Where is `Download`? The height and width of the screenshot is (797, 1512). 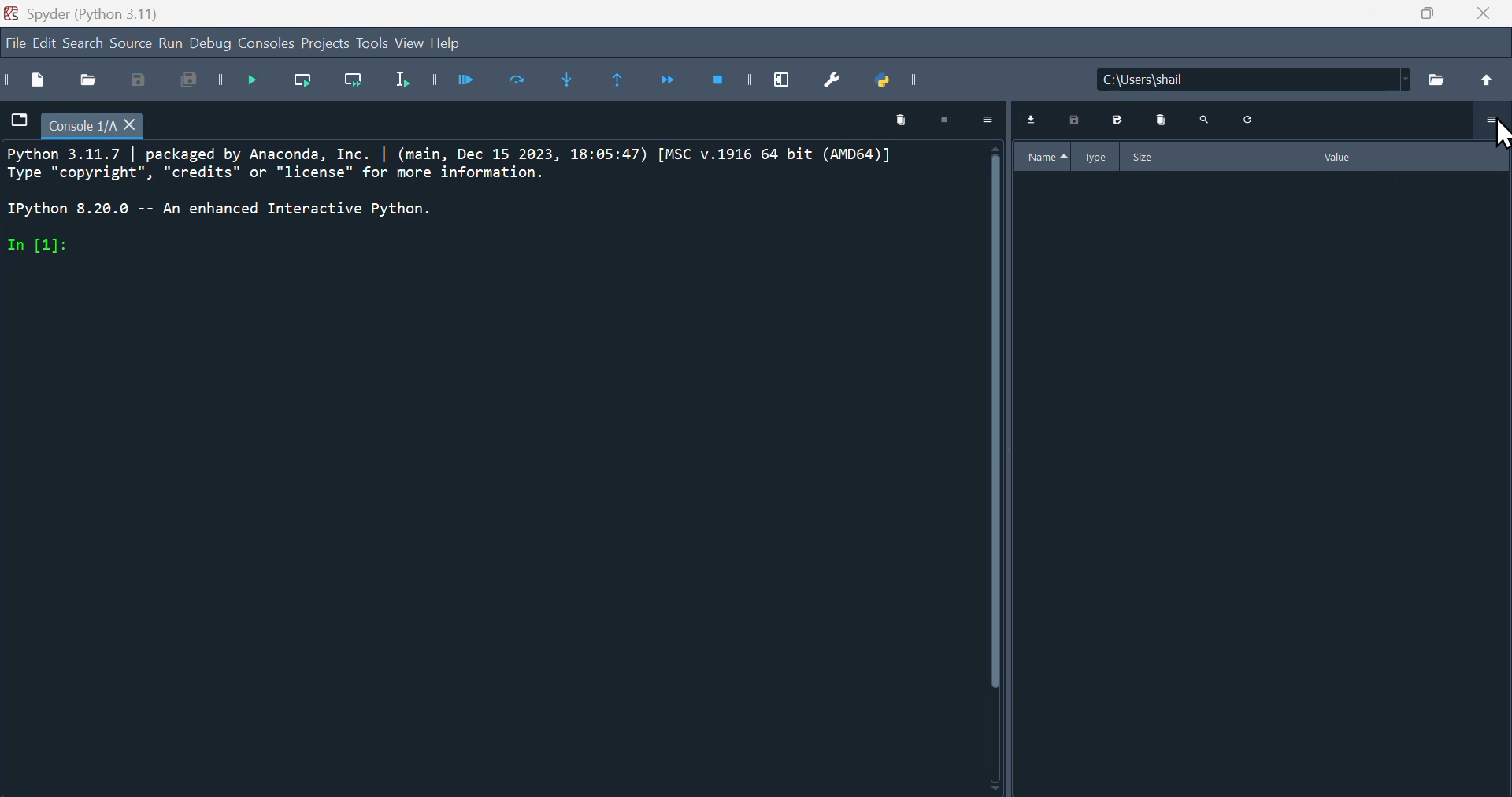
Download is located at coordinates (1034, 121).